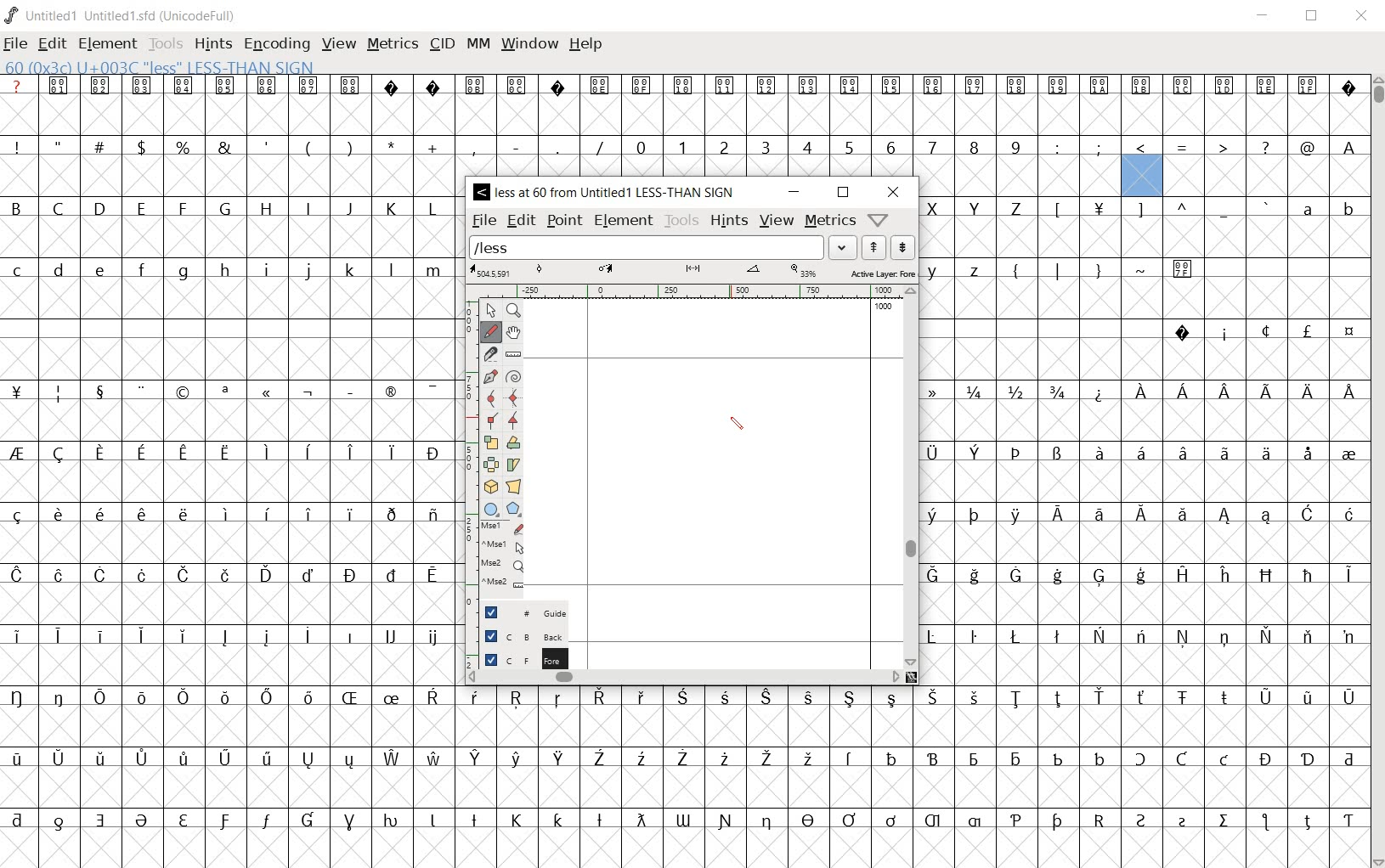  I want to click on close, so click(893, 192).